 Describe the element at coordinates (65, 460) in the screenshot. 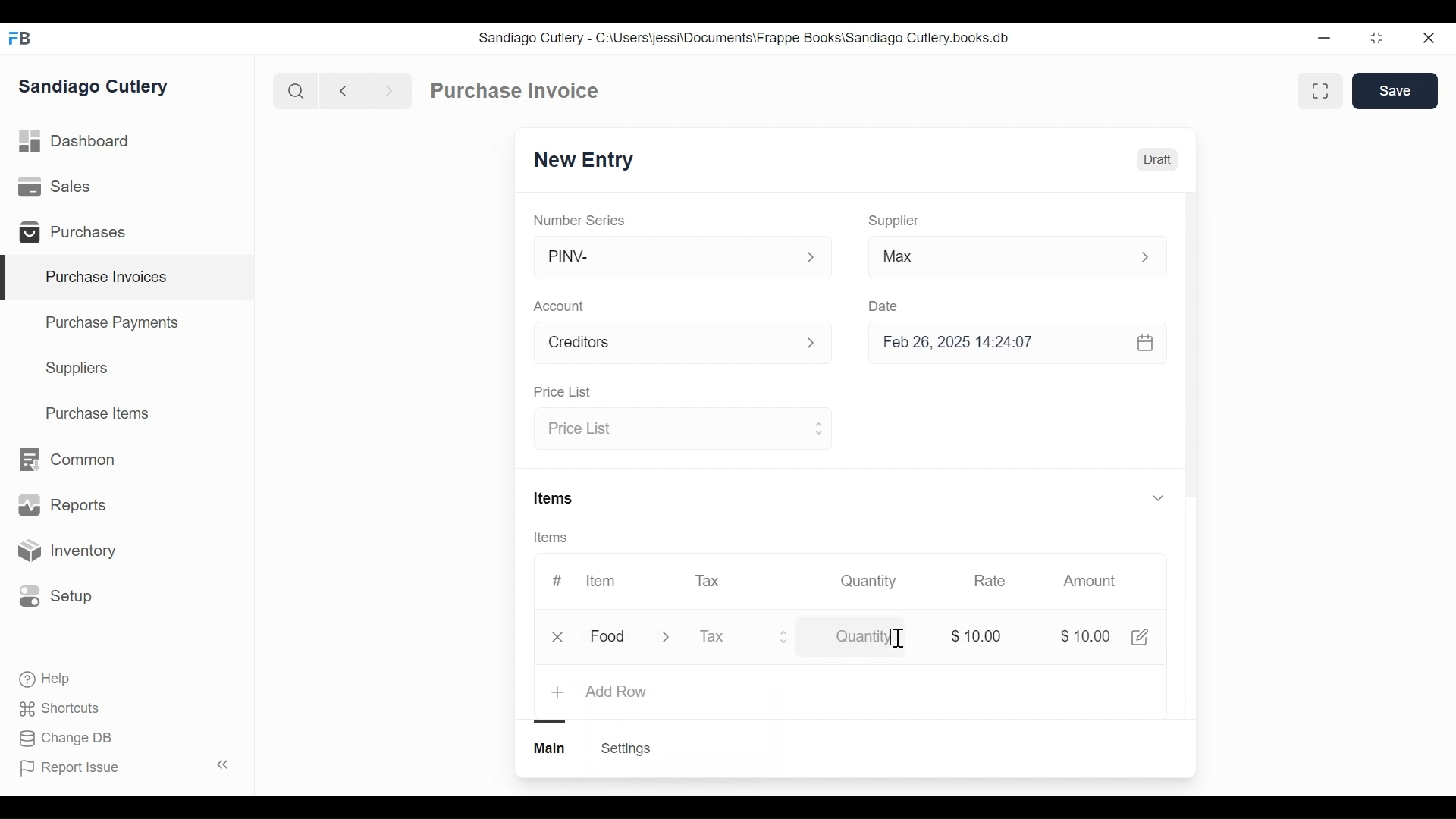

I see `Common` at that location.